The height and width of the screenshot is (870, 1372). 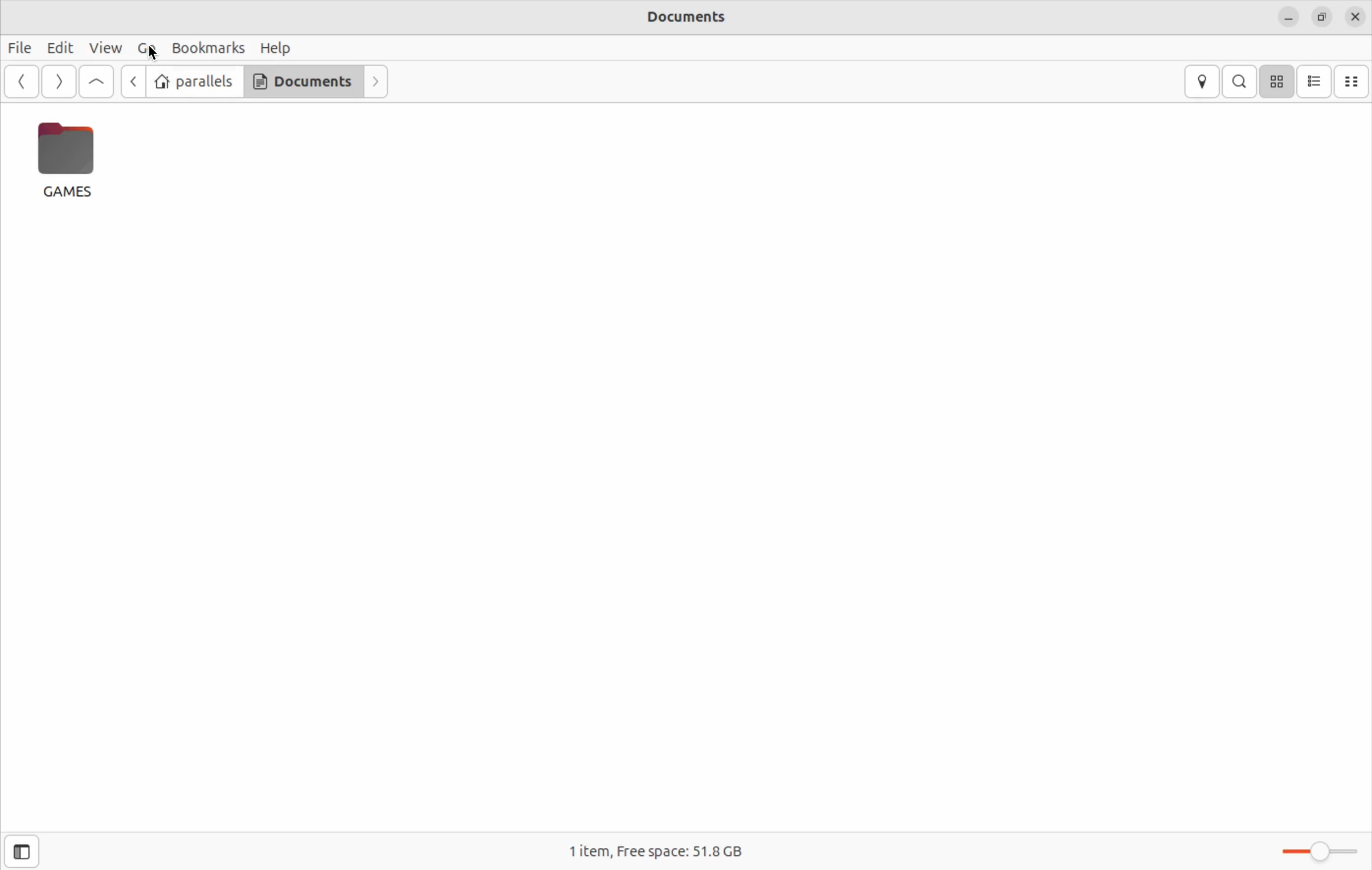 What do you see at coordinates (154, 51) in the screenshot?
I see `cursor` at bounding box center [154, 51].